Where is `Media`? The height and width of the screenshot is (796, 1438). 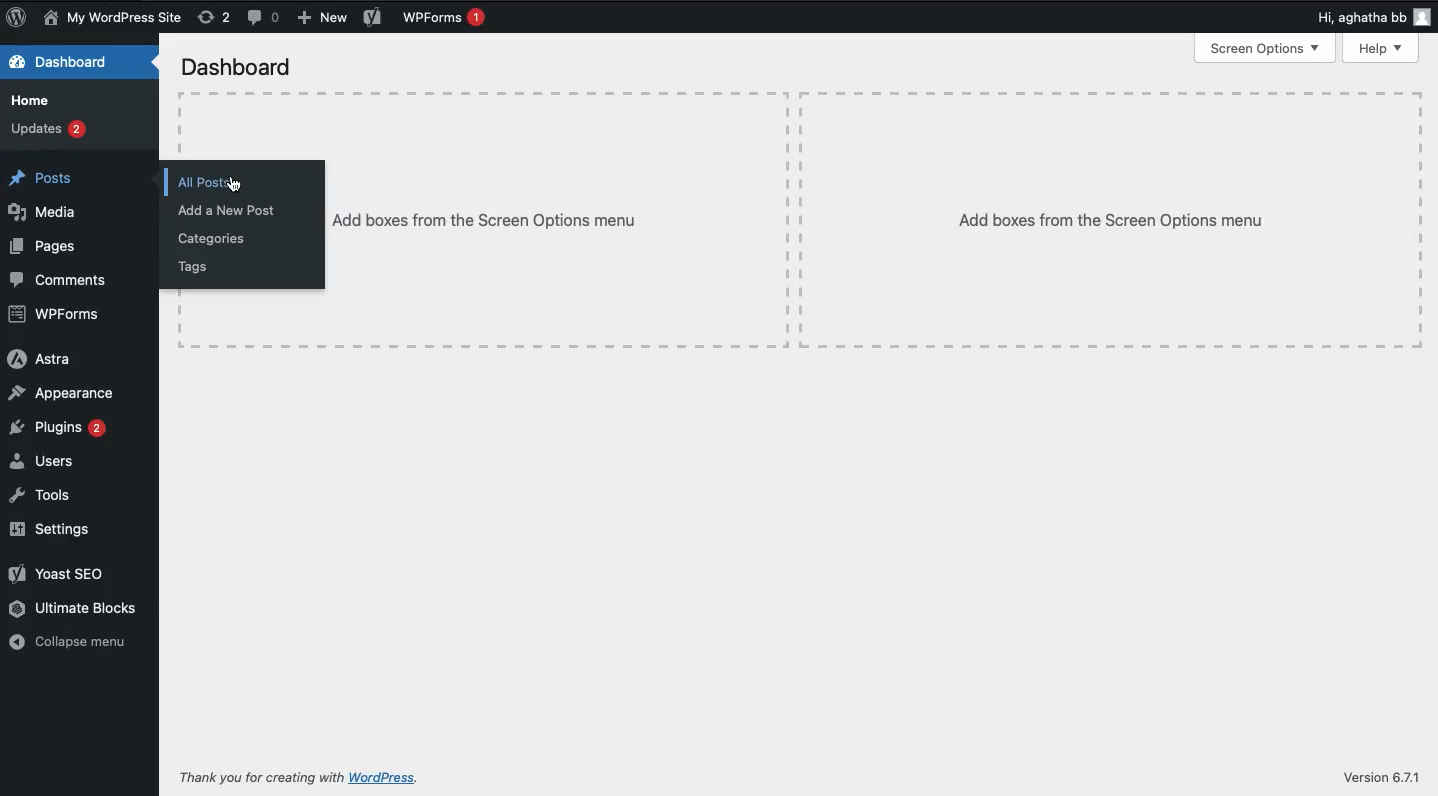
Media is located at coordinates (46, 211).